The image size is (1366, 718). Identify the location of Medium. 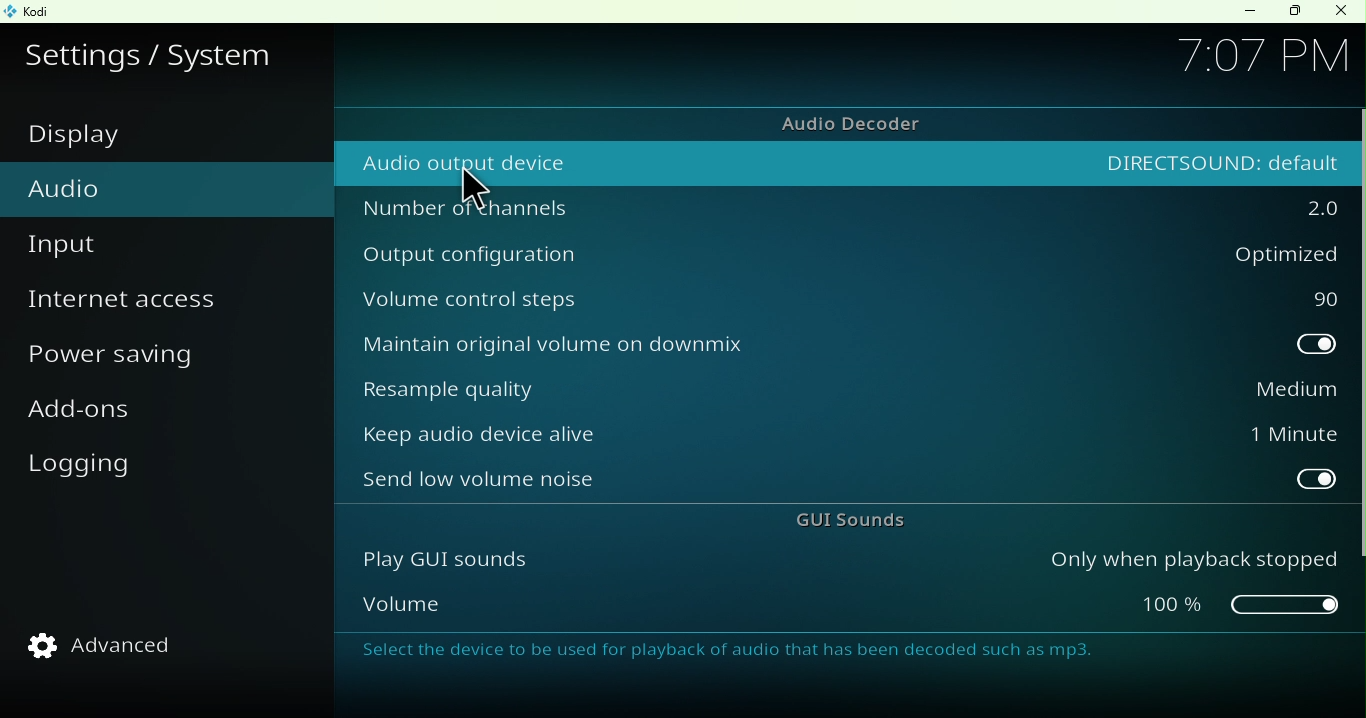
(1221, 391).